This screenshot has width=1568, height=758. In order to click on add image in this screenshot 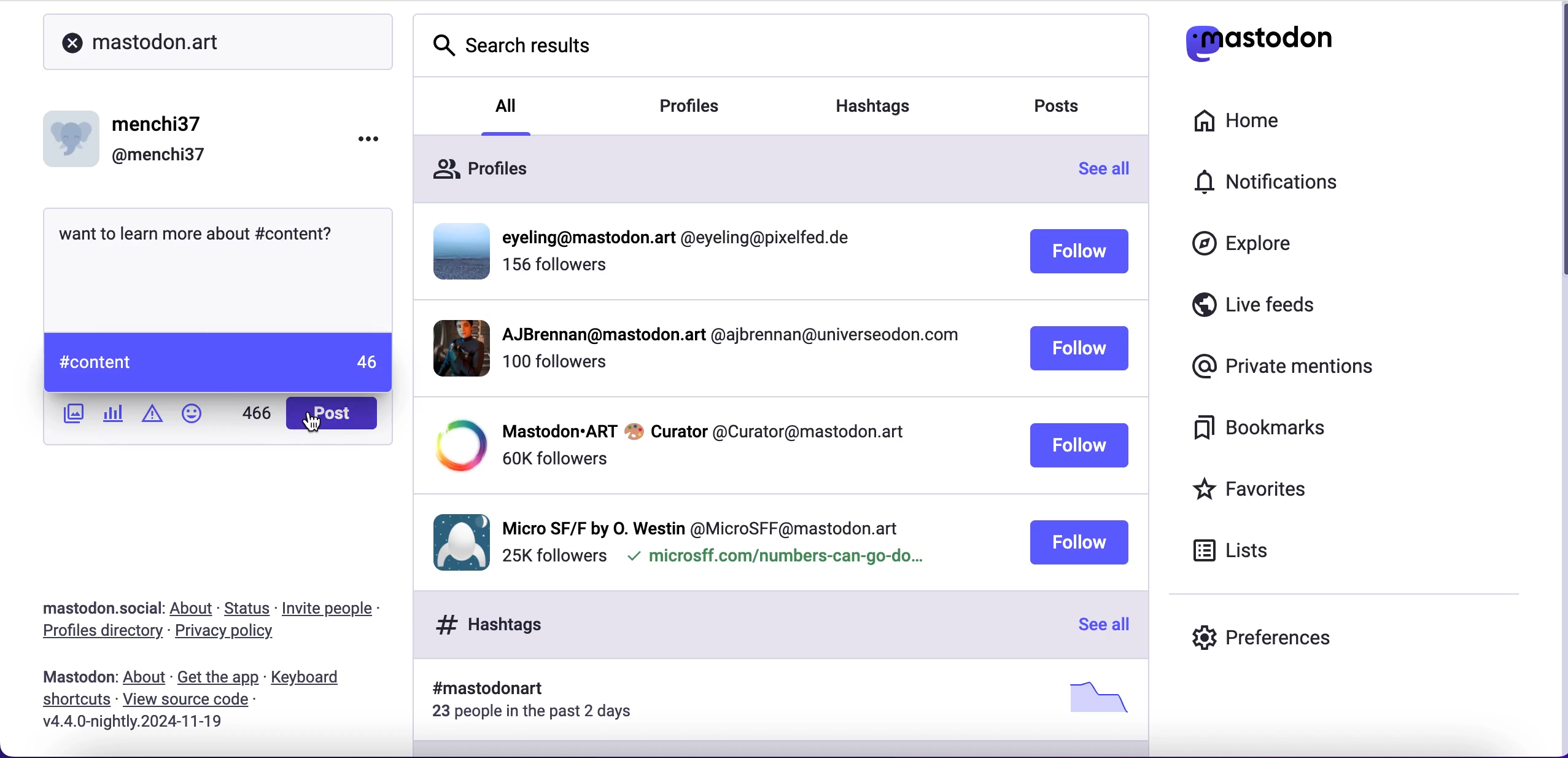, I will do `click(71, 414)`.